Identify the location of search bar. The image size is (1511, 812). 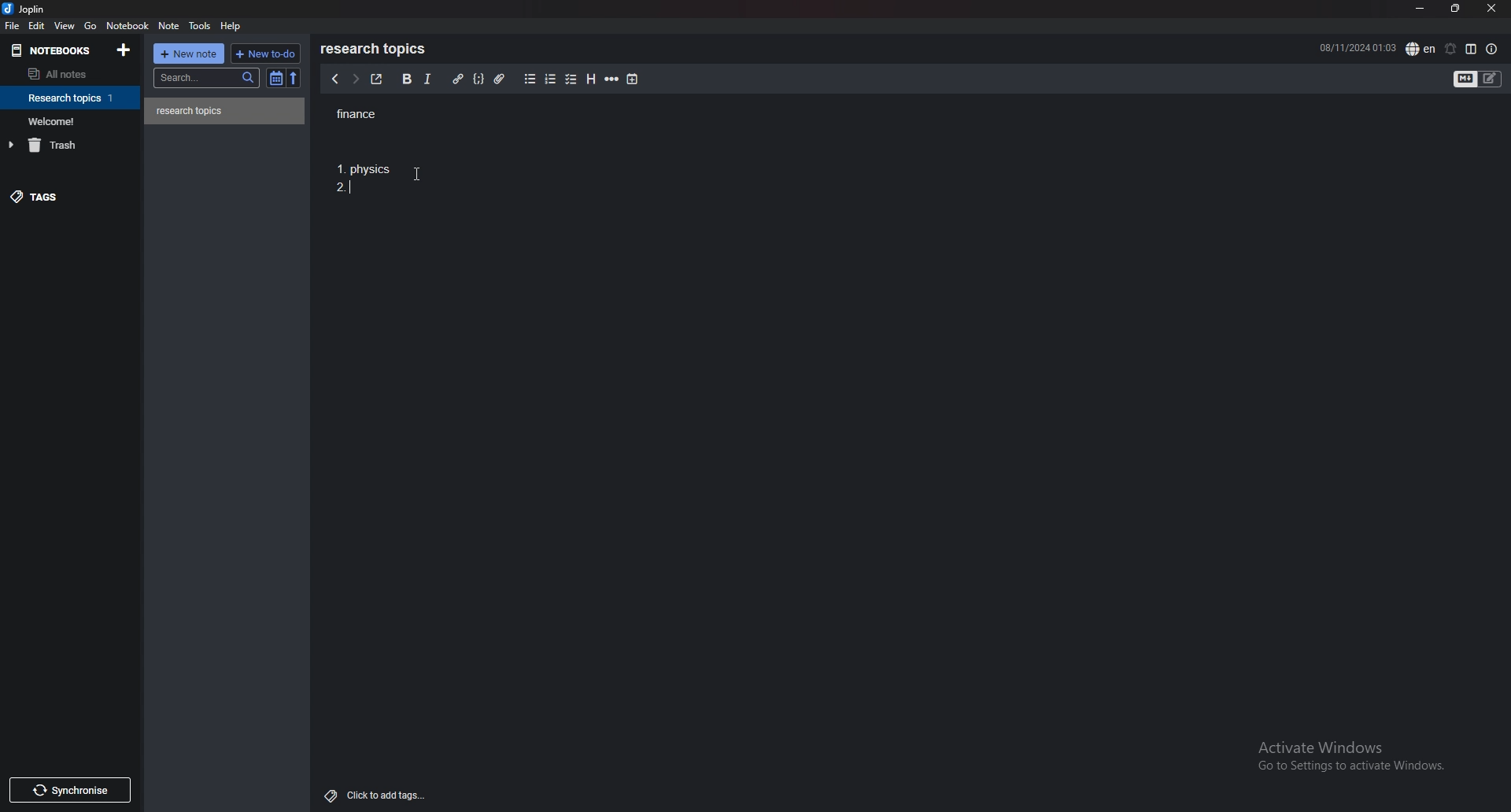
(208, 77).